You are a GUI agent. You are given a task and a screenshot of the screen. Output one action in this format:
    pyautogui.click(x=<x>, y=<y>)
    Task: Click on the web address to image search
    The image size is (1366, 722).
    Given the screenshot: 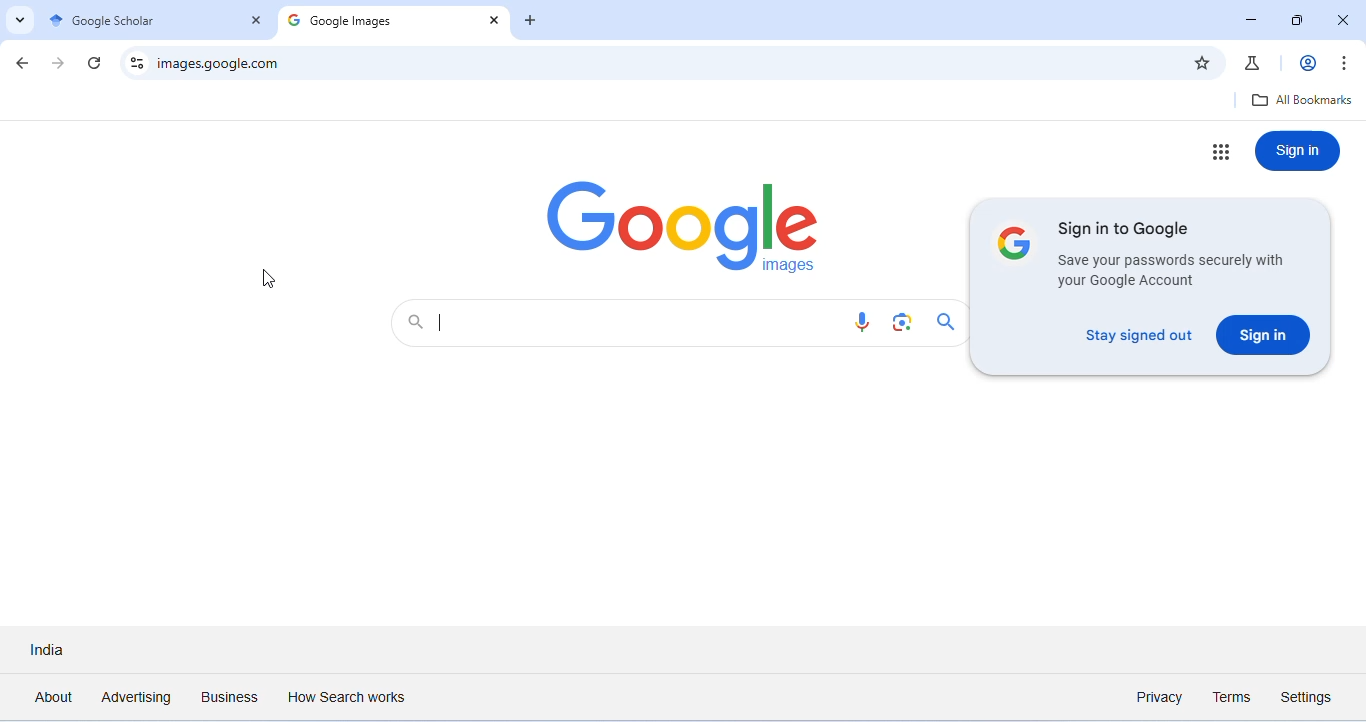 What is the action you would take?
    pyautogui.click(x=666, y=64)
    